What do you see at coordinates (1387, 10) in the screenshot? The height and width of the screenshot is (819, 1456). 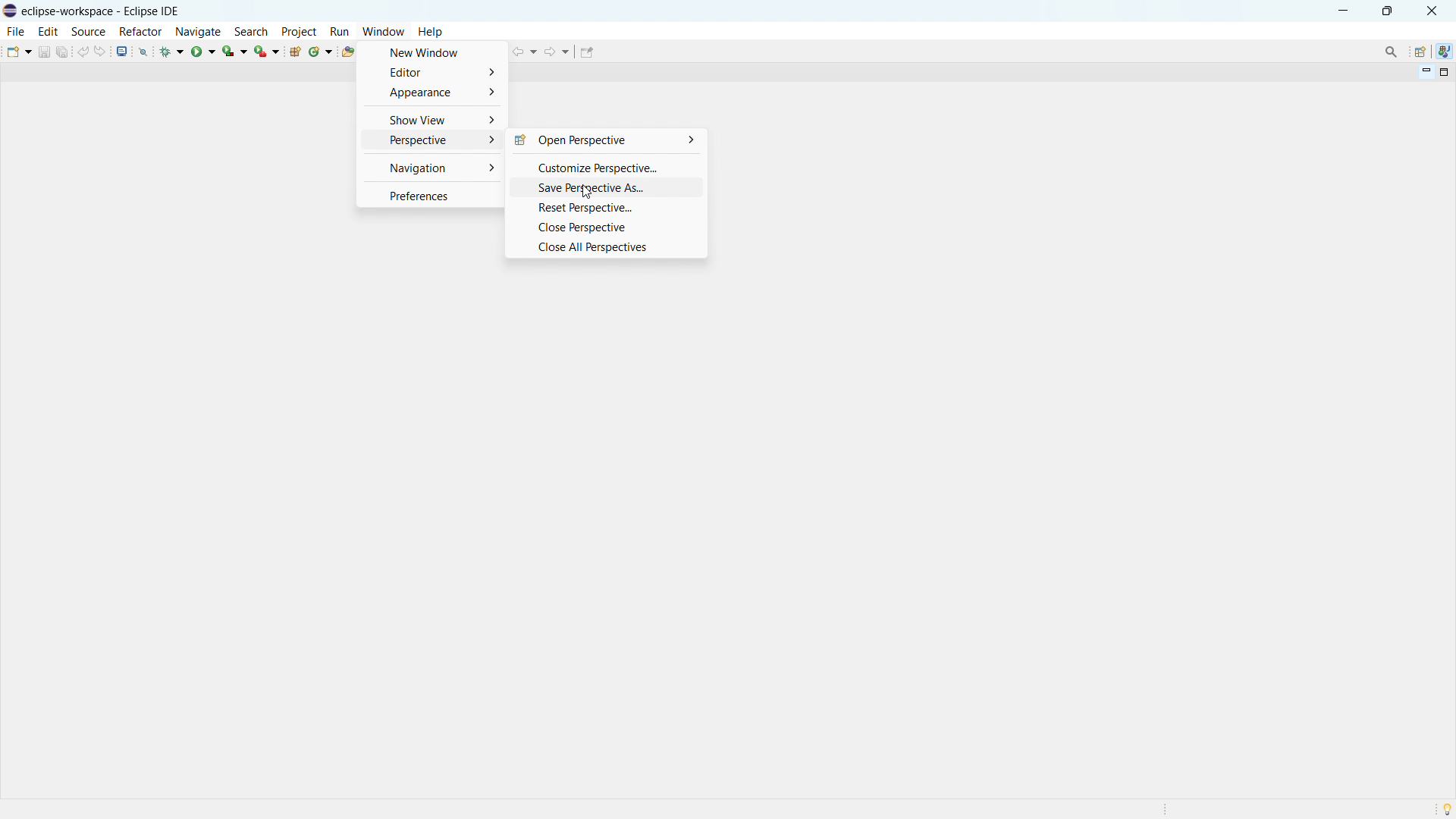 I see `maximize` at bounding box center [1387, 10].